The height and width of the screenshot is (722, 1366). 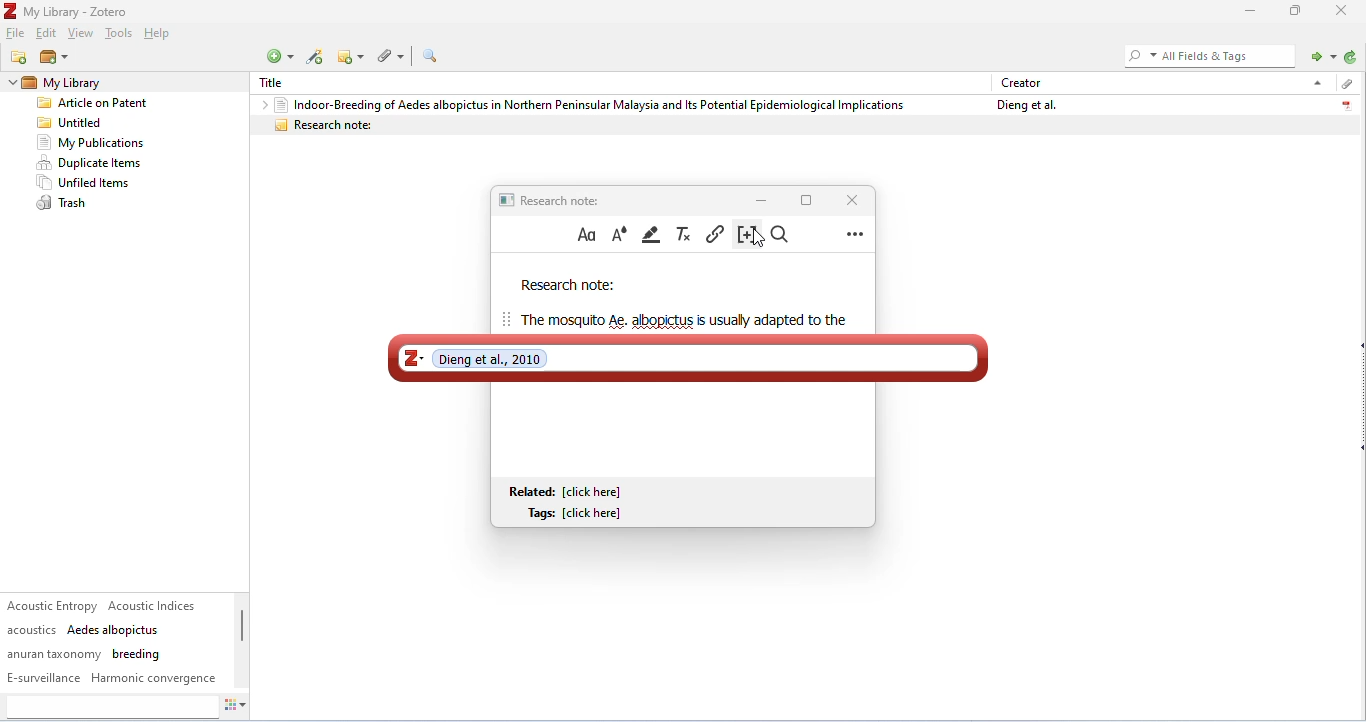 I want to click on locate, so click(x=1320, y=55).